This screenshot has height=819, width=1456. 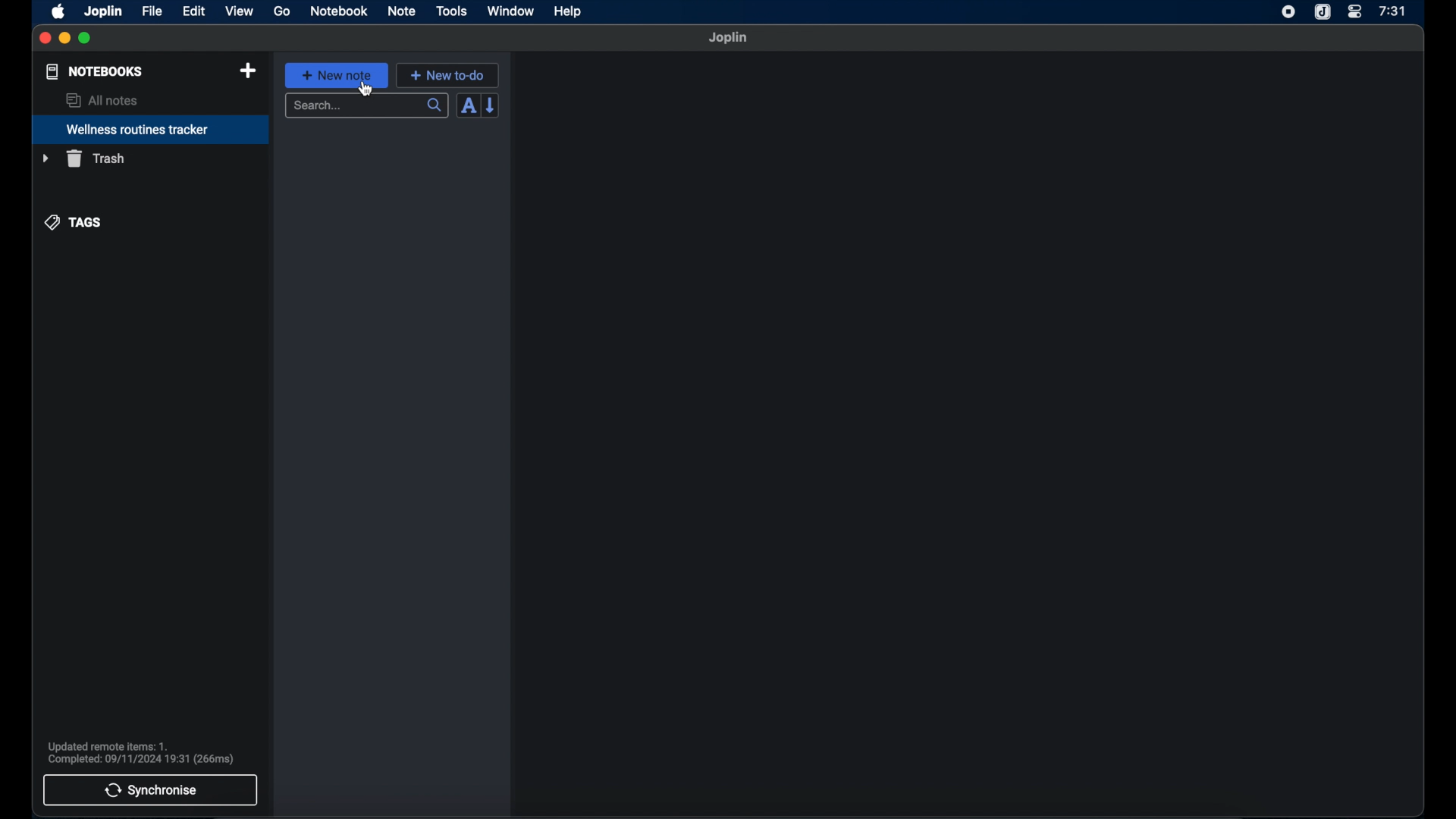 What do you see at coordinates (1323, 12) in the screenshot?
I see `joplin icon` at bounding box center [1323, 12].